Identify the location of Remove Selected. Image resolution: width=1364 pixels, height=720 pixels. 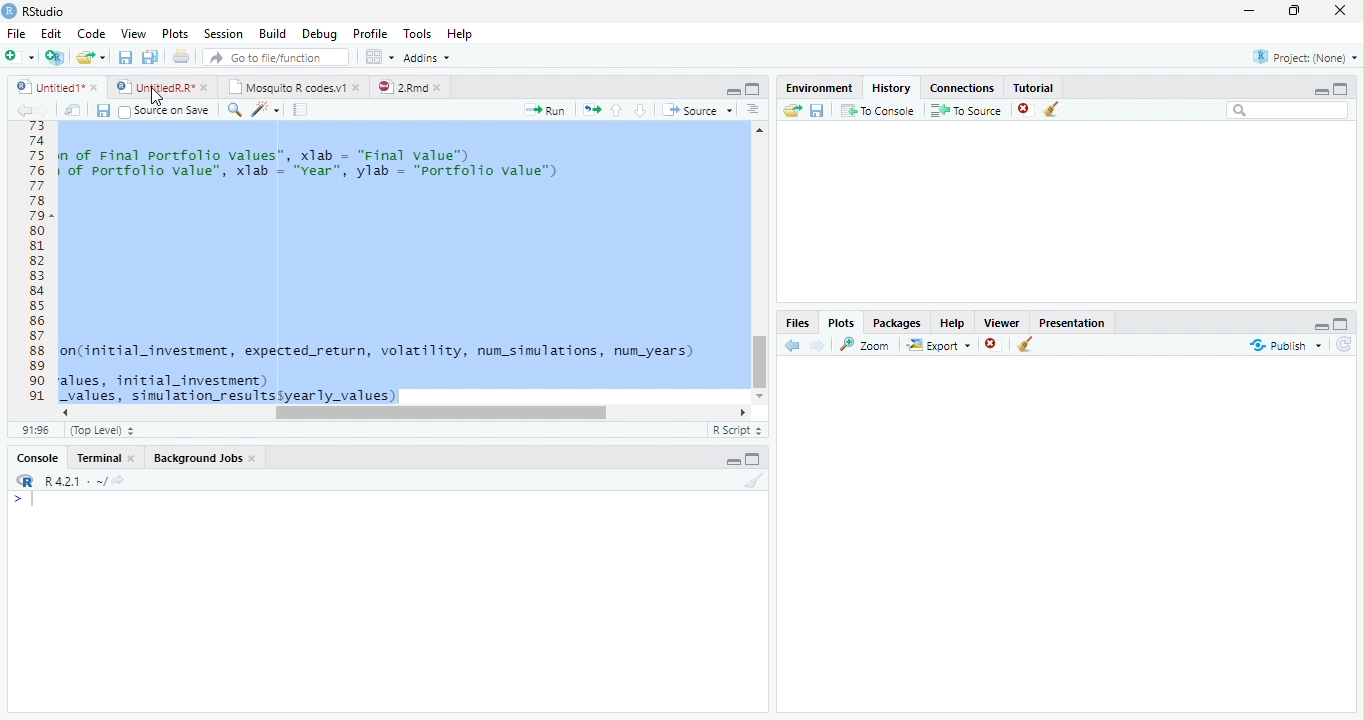
(1027, 109).